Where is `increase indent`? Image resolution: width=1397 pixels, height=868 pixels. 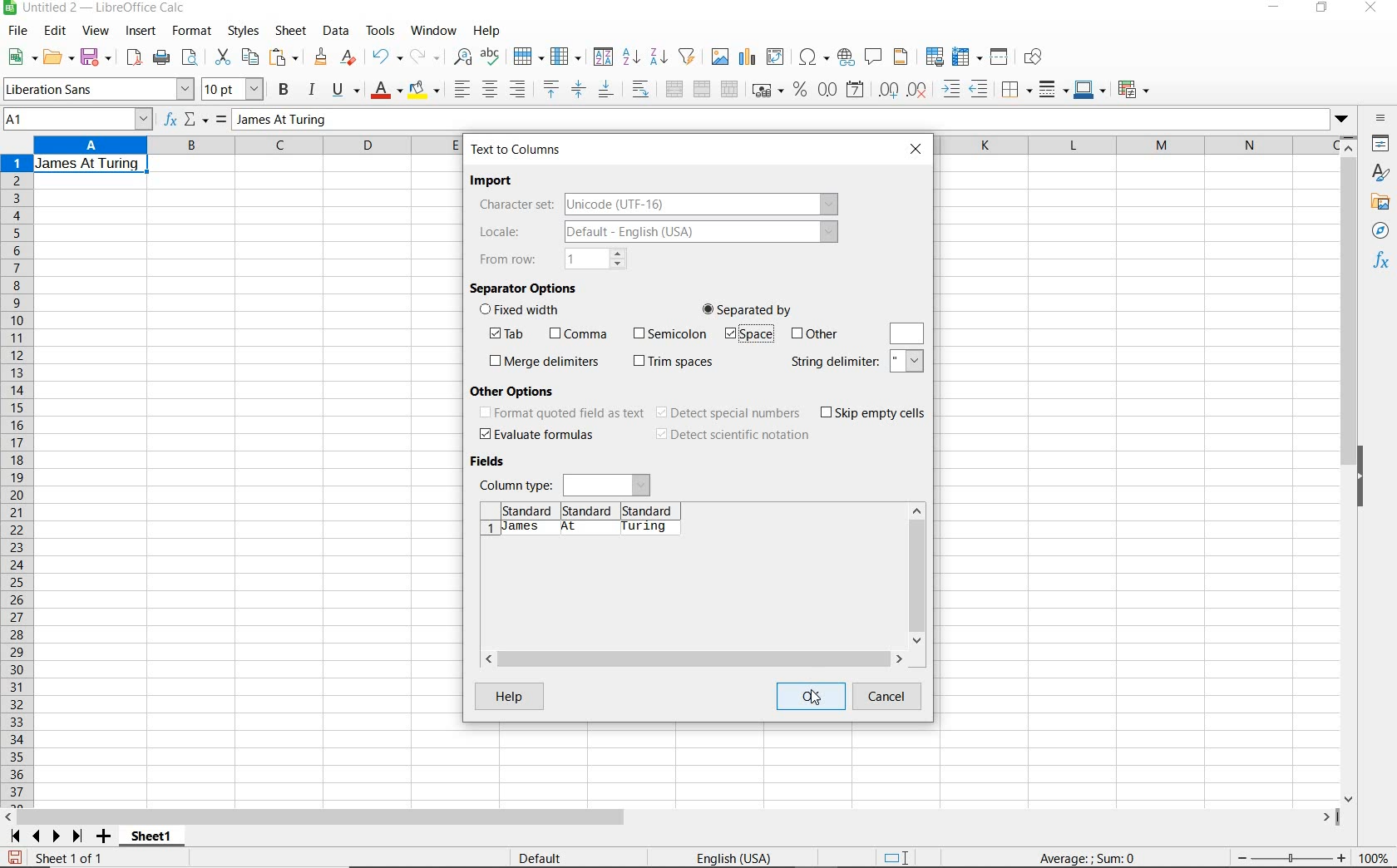
increase indent is located at coordinates (953, 89).